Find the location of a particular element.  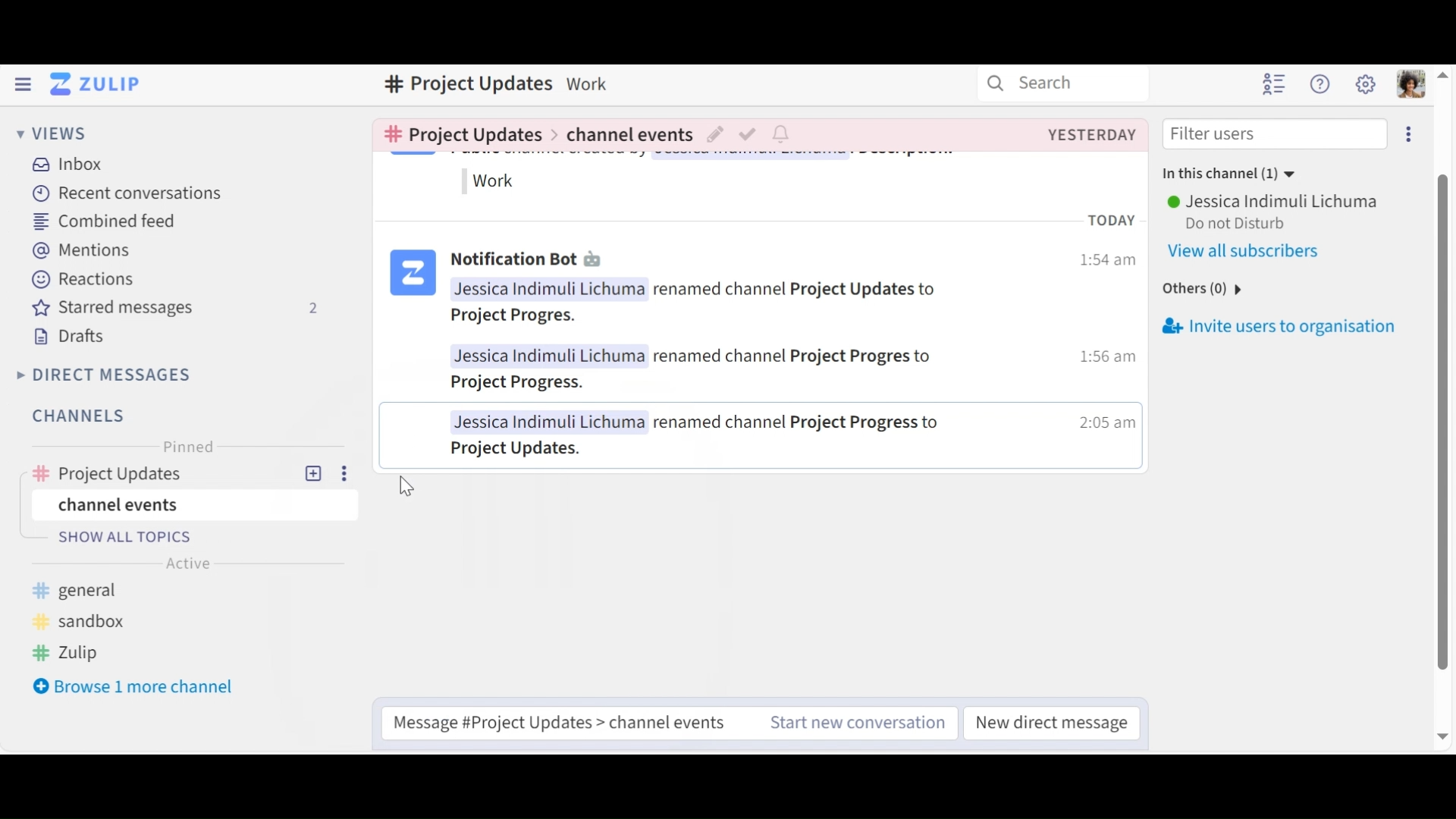

Starred messages is located at coordinates (172, 309).